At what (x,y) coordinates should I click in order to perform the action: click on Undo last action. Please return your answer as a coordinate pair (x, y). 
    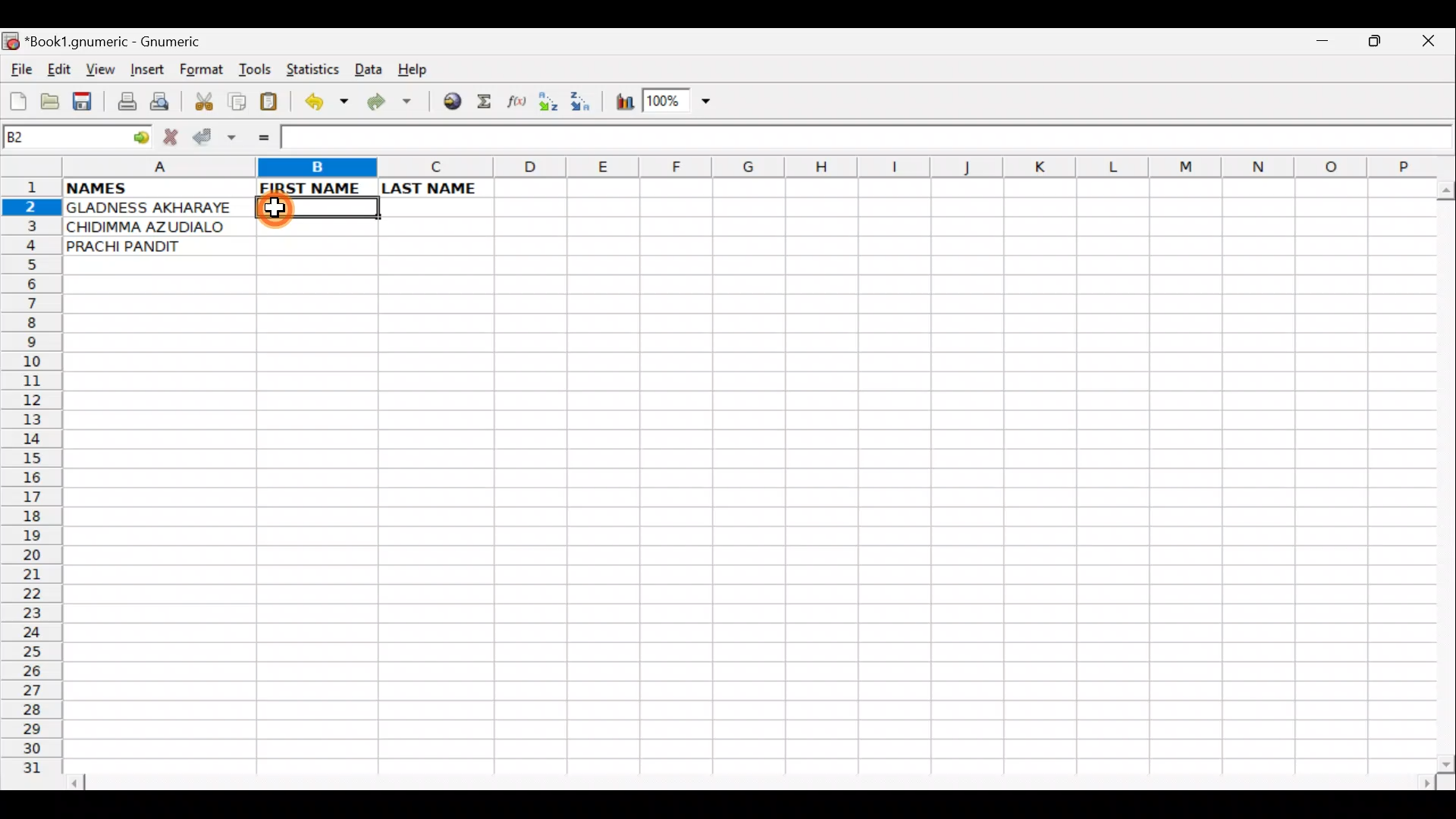
    Looking at the image, I should click on (328, 104).